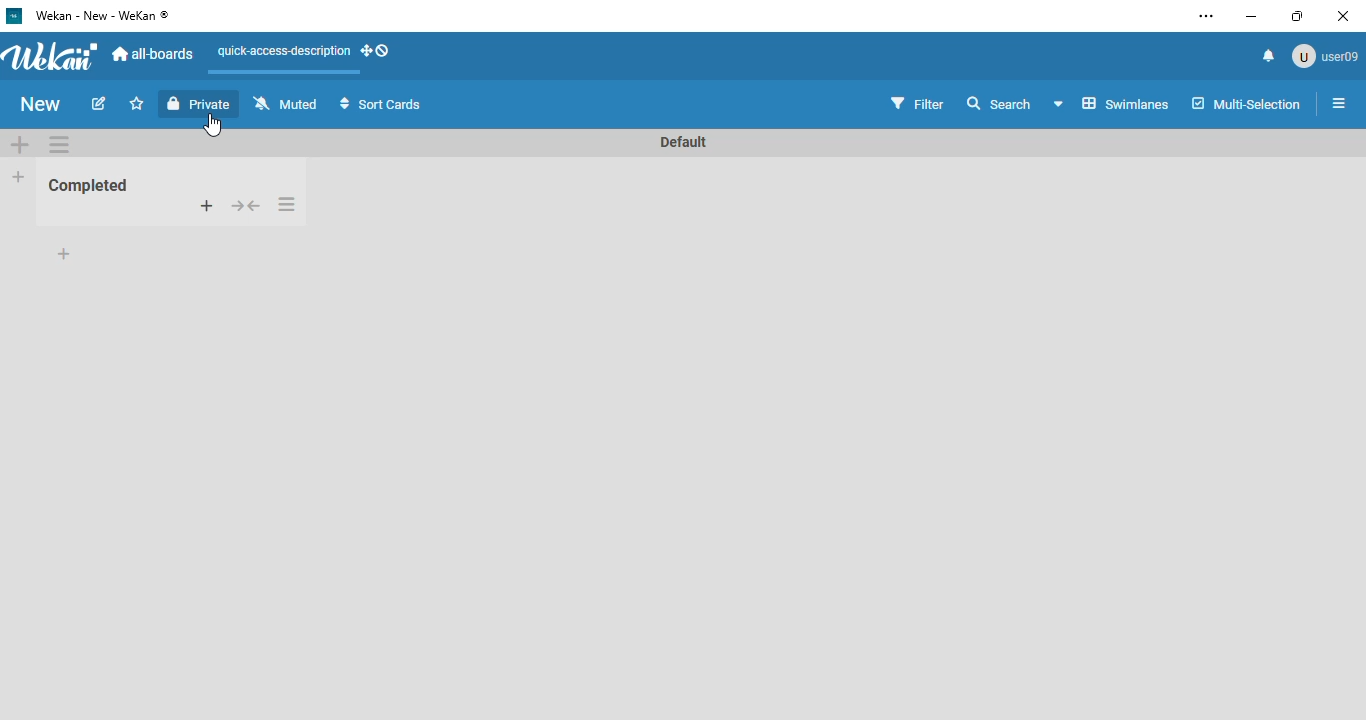 This screenshot has height=720, width=1366. I want to click on collapse, so click(247, 206).